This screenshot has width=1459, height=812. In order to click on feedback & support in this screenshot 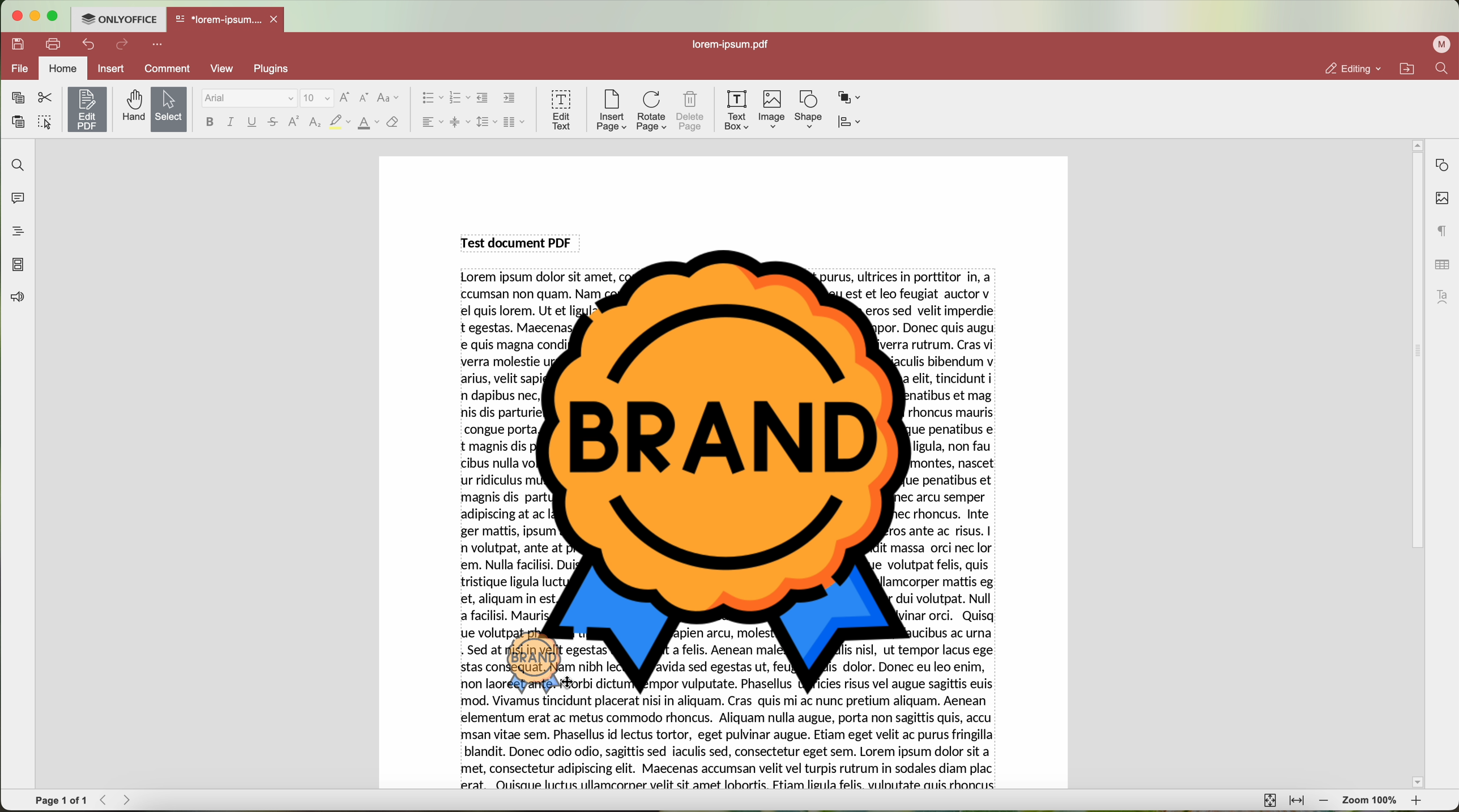, I will do `click(16, 299)`.